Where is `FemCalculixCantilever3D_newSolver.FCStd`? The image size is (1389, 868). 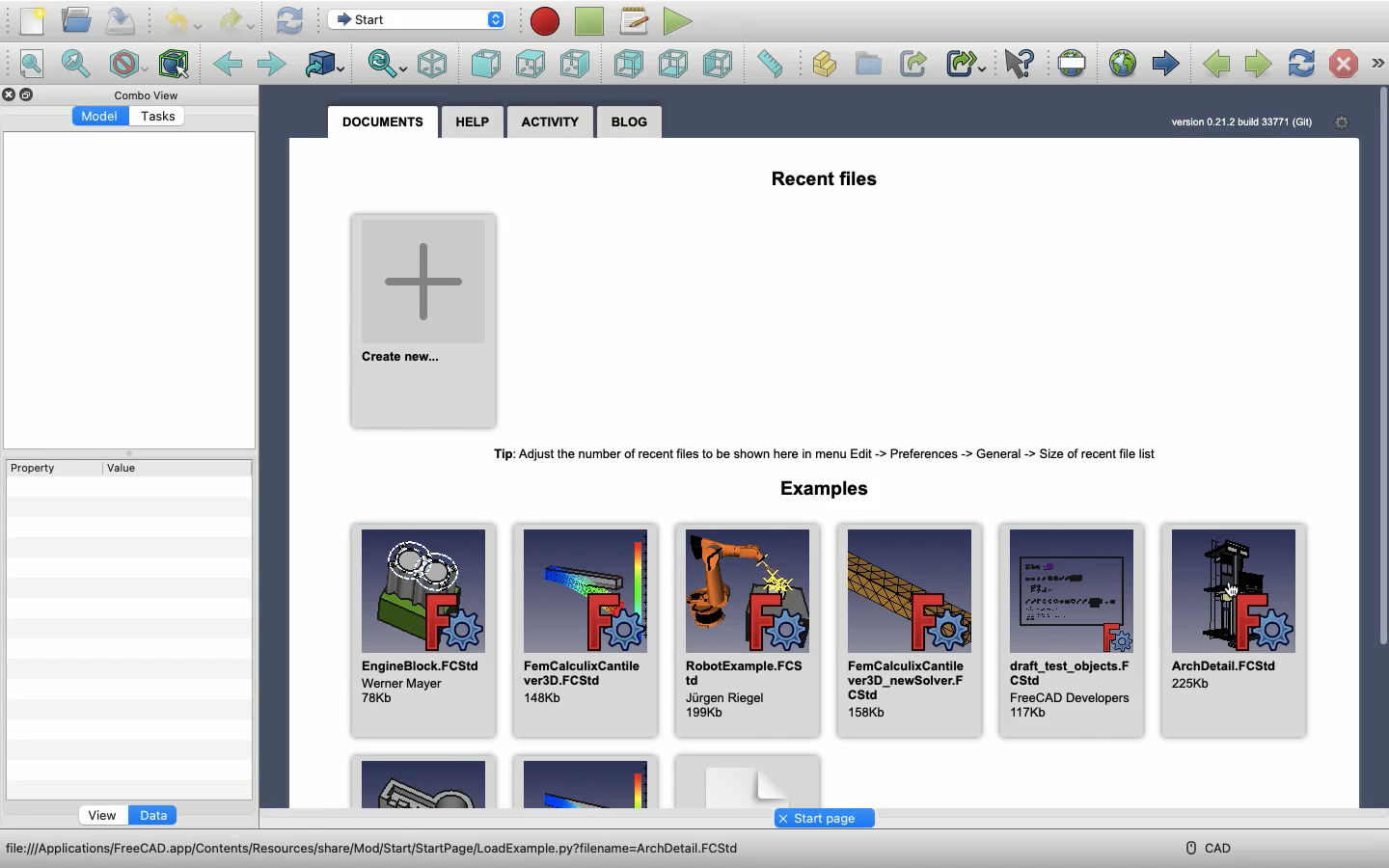
FemCalculixCantilever3D_newSolver.FCStd is located at coordinates (911, 631).